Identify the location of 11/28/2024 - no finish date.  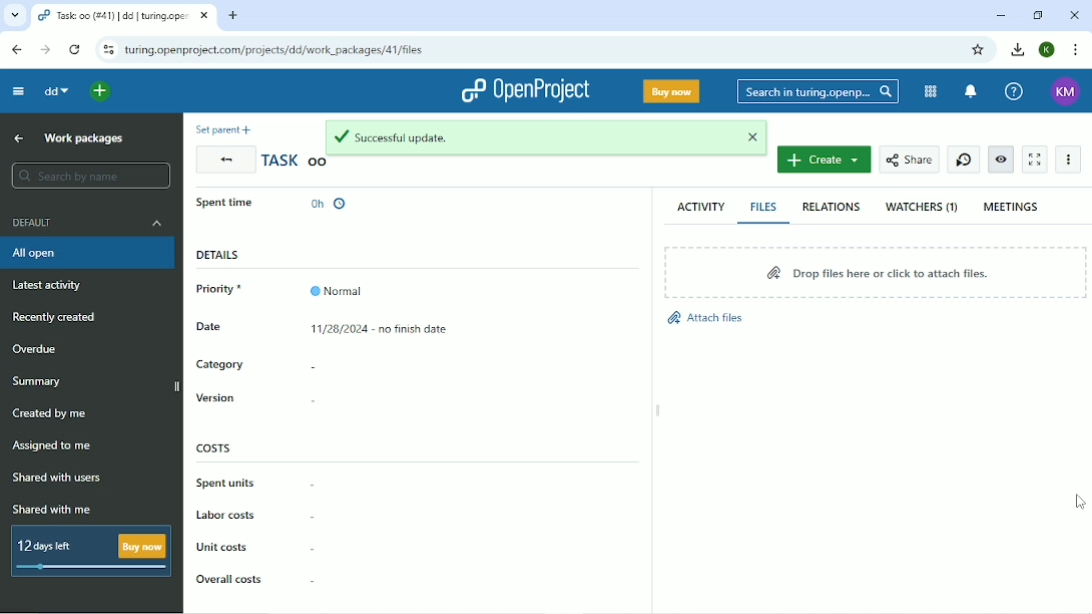
(388, 330).